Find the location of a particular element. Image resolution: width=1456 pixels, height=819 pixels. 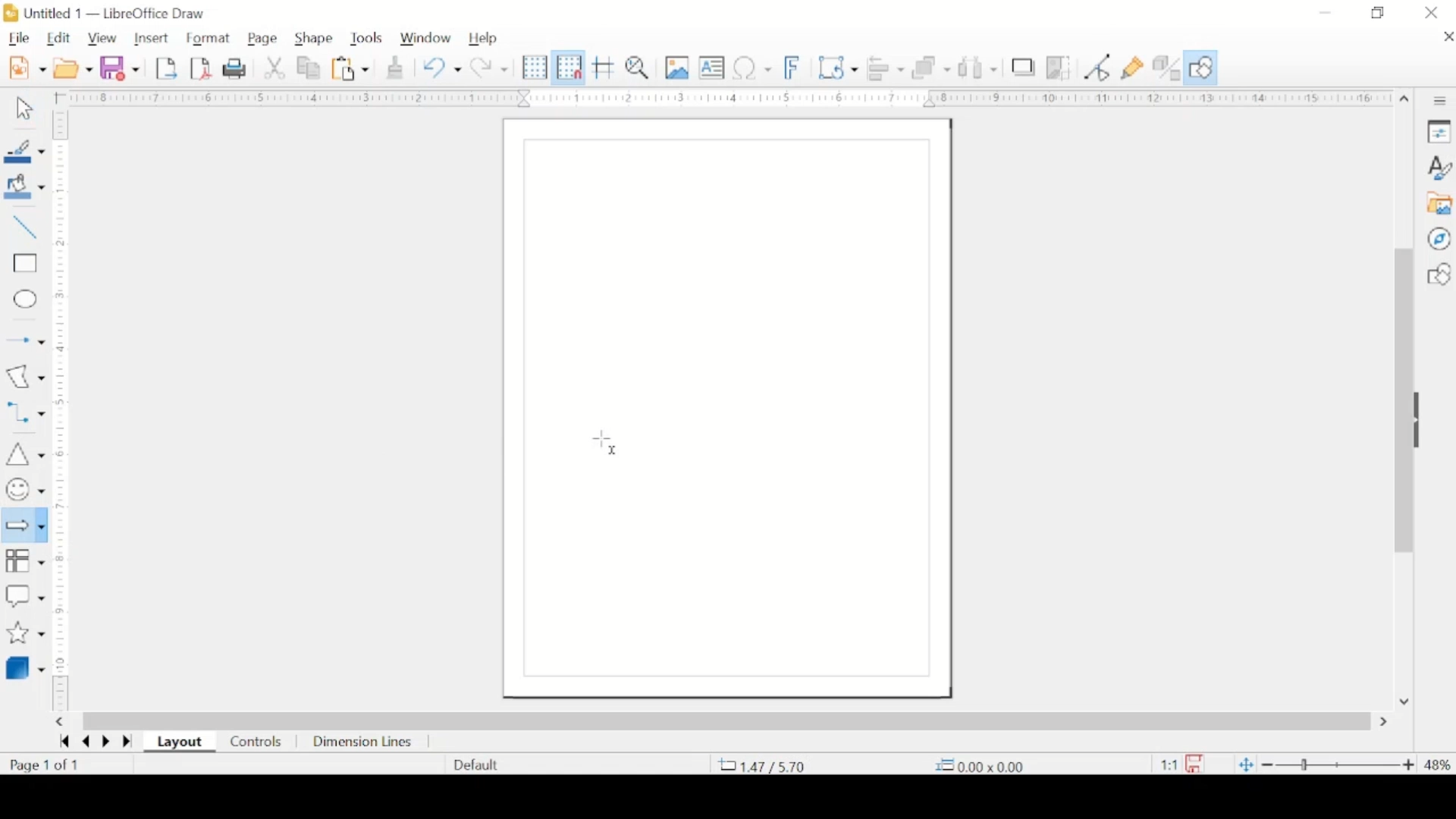

styles is located at coordinates (1439, 167).